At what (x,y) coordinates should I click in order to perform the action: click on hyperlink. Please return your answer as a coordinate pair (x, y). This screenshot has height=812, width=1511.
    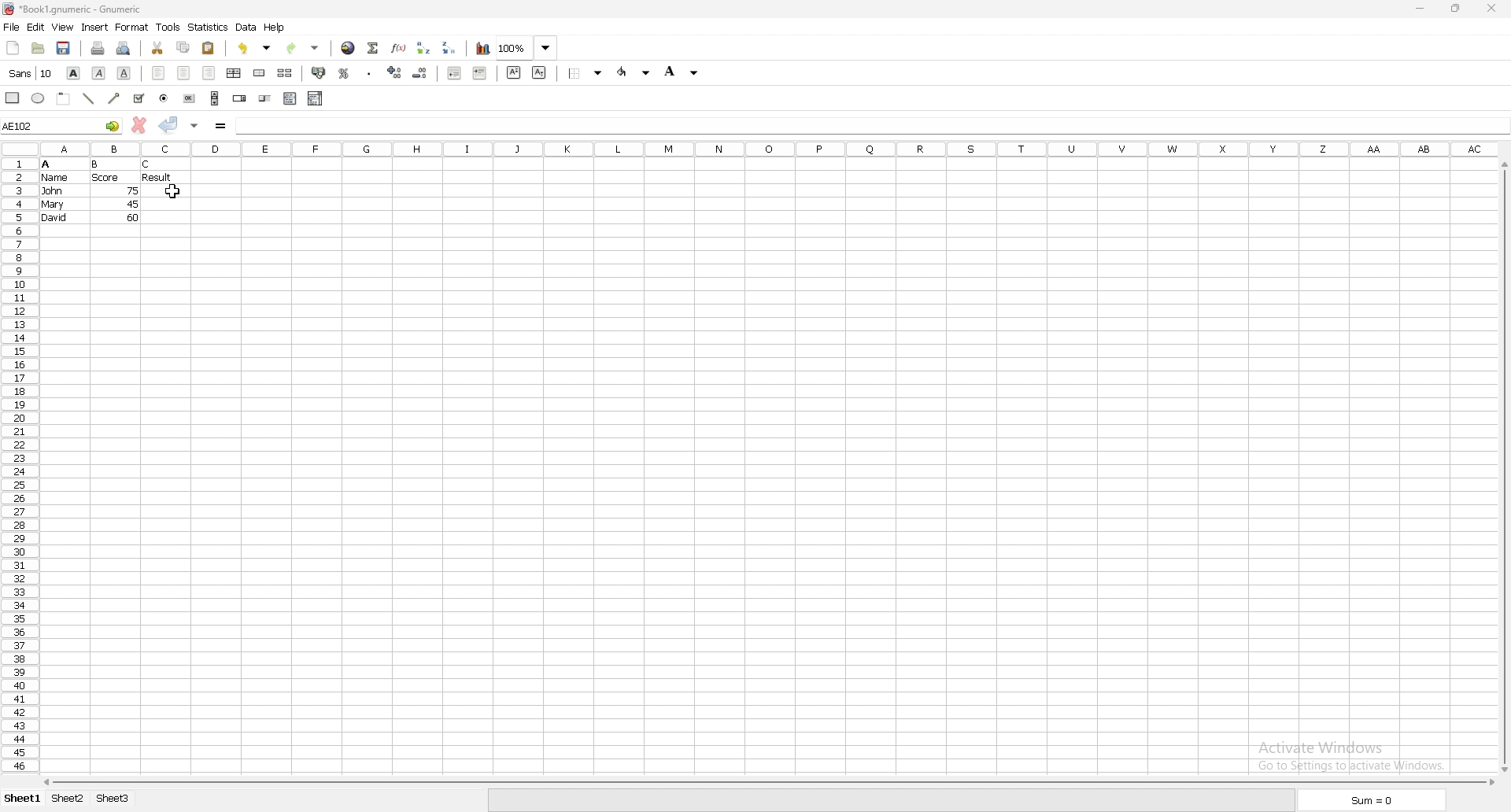
    Looking at the image, I should click on (348, 49).